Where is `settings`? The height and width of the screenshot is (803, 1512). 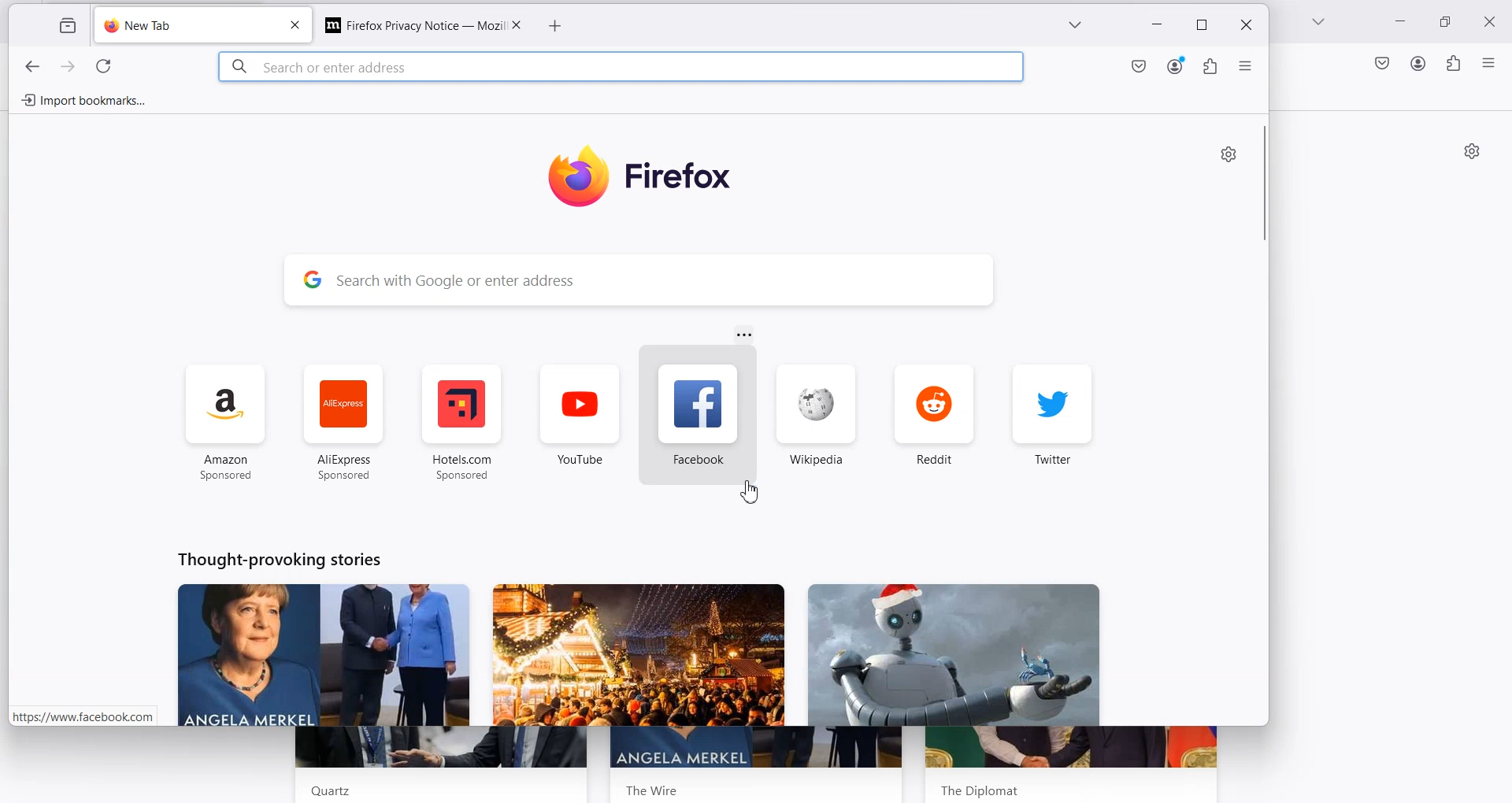
settings is located at coordinates (1476, 154).